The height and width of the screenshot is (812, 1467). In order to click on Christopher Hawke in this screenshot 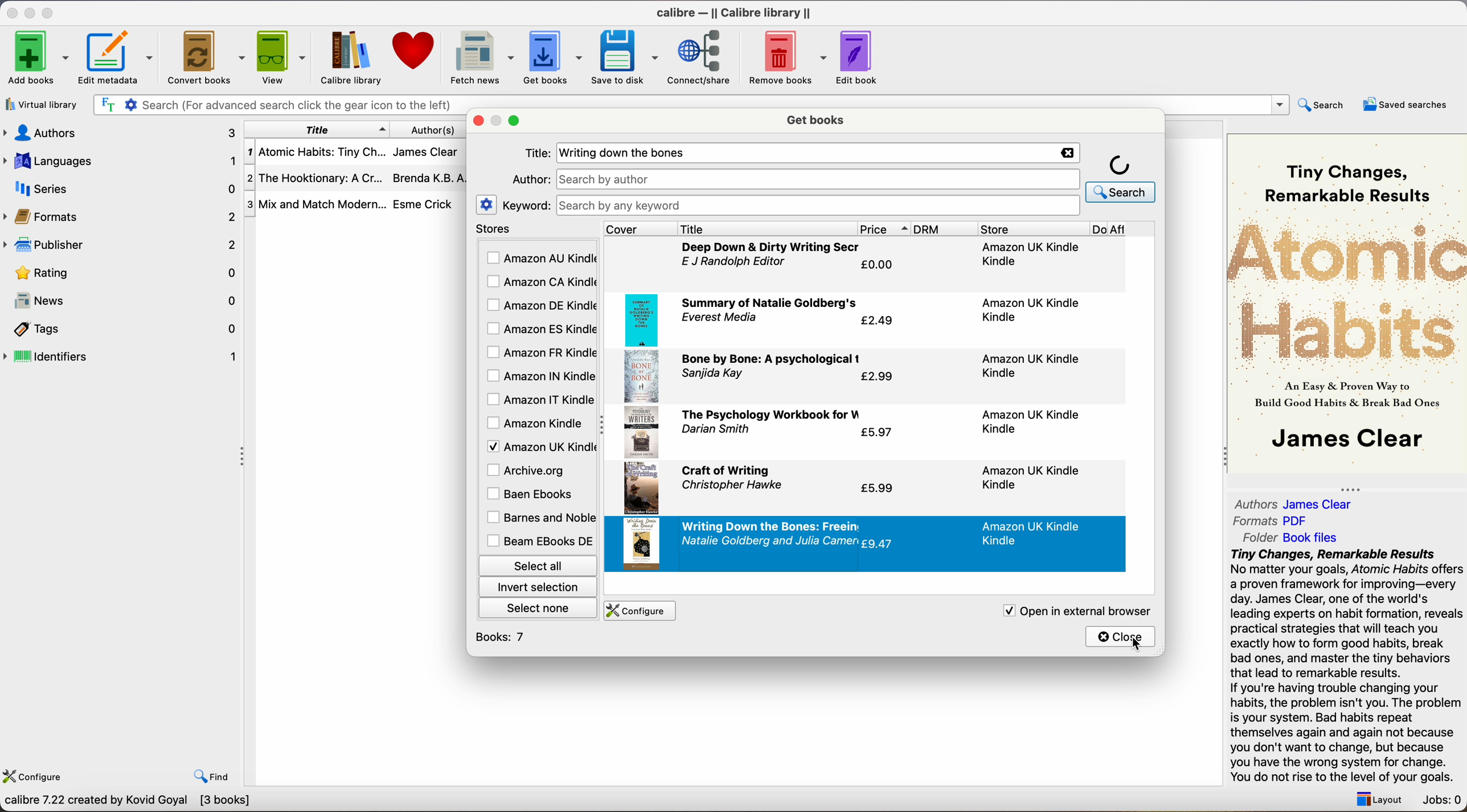, I will do `click(730, 486)`.